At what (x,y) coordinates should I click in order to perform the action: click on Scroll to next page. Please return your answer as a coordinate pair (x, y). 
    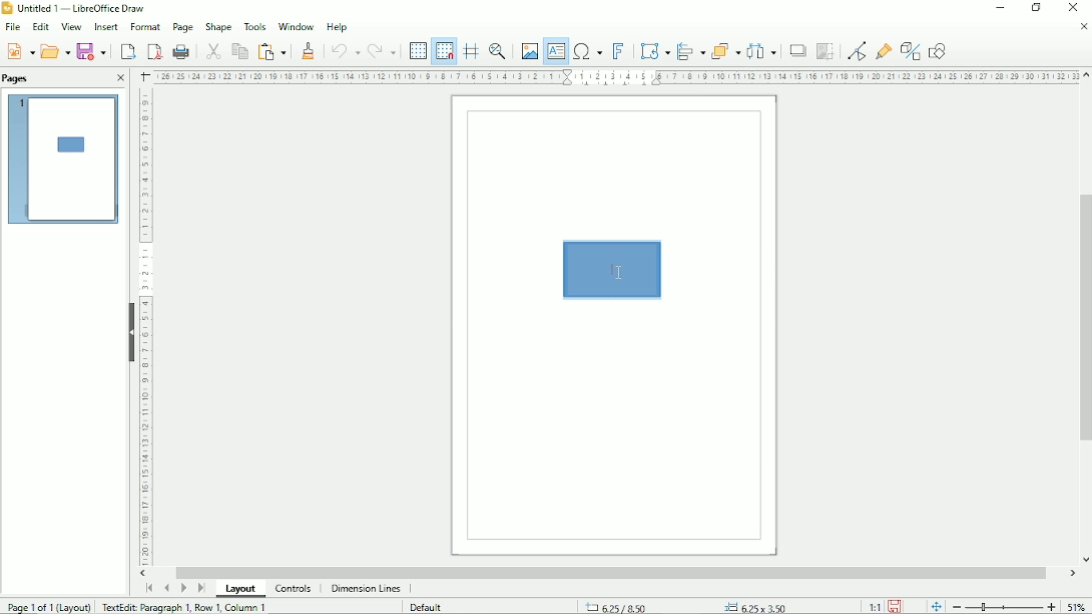
    Looking at the image, I should click on (183, 588).